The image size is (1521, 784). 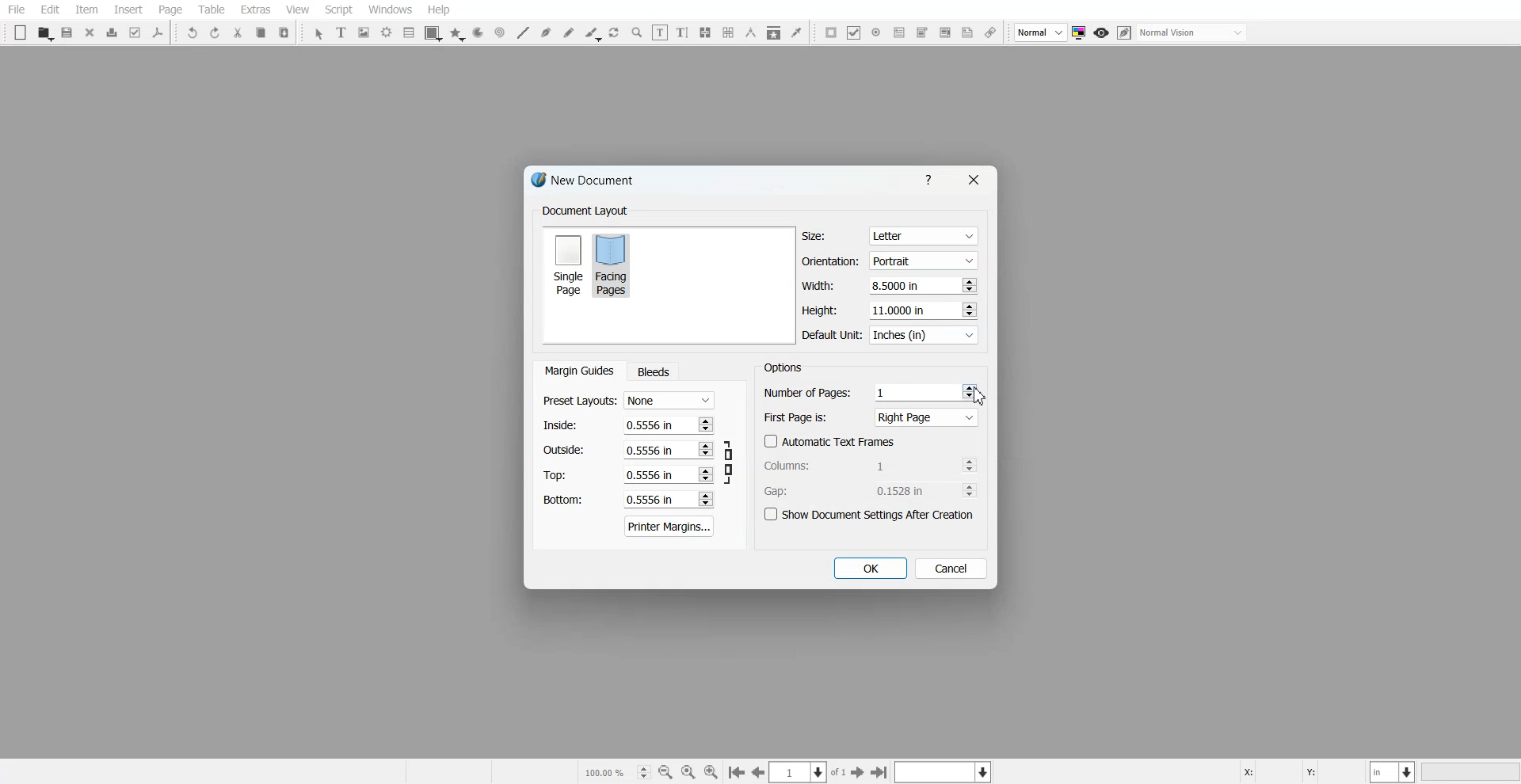 What do you see at coordinates (647, 449) in the screenshot?
I see `0.5556 in` at bounding box center [647, 449].